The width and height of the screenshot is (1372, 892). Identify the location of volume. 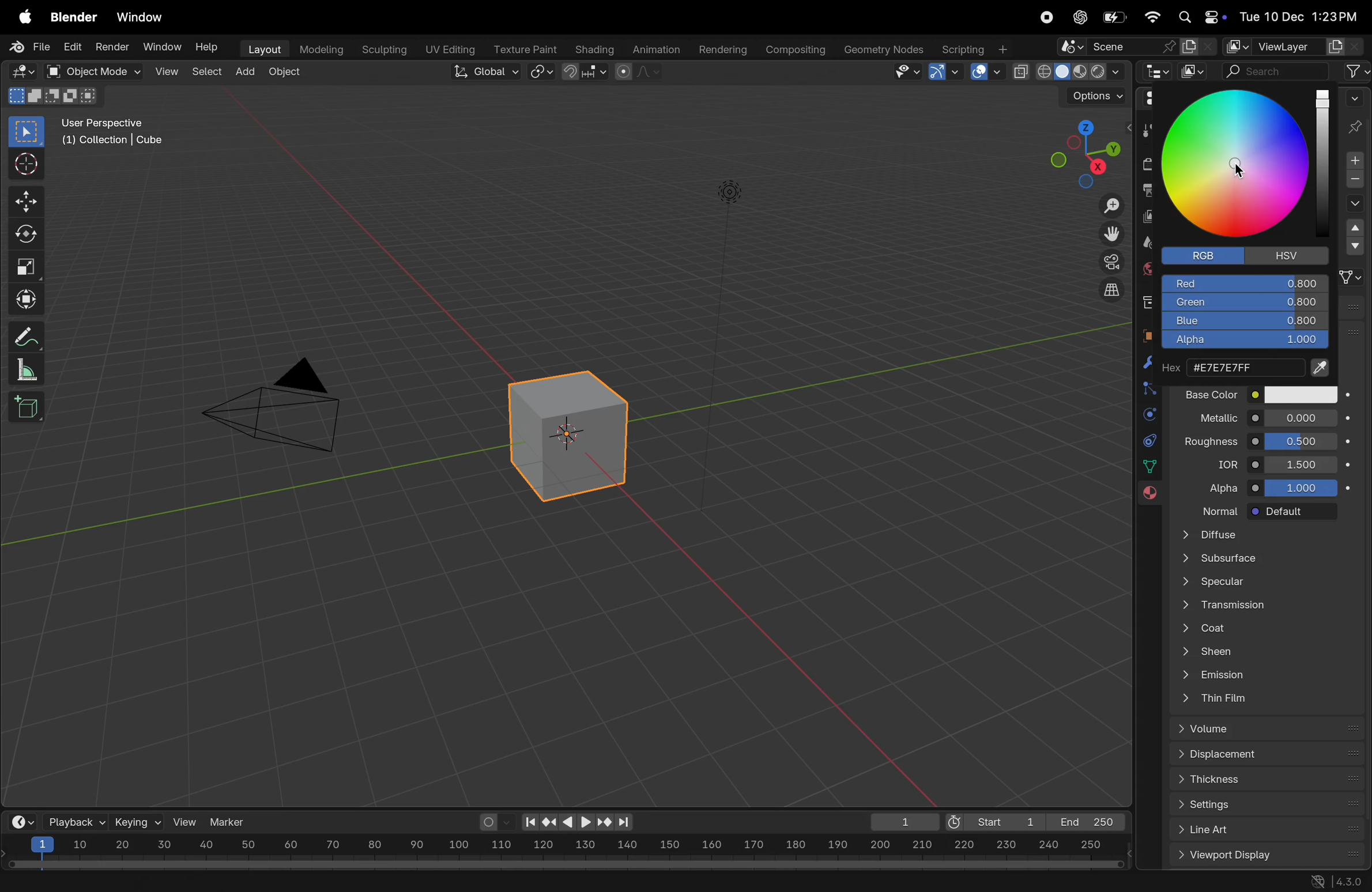
(1272, 729).